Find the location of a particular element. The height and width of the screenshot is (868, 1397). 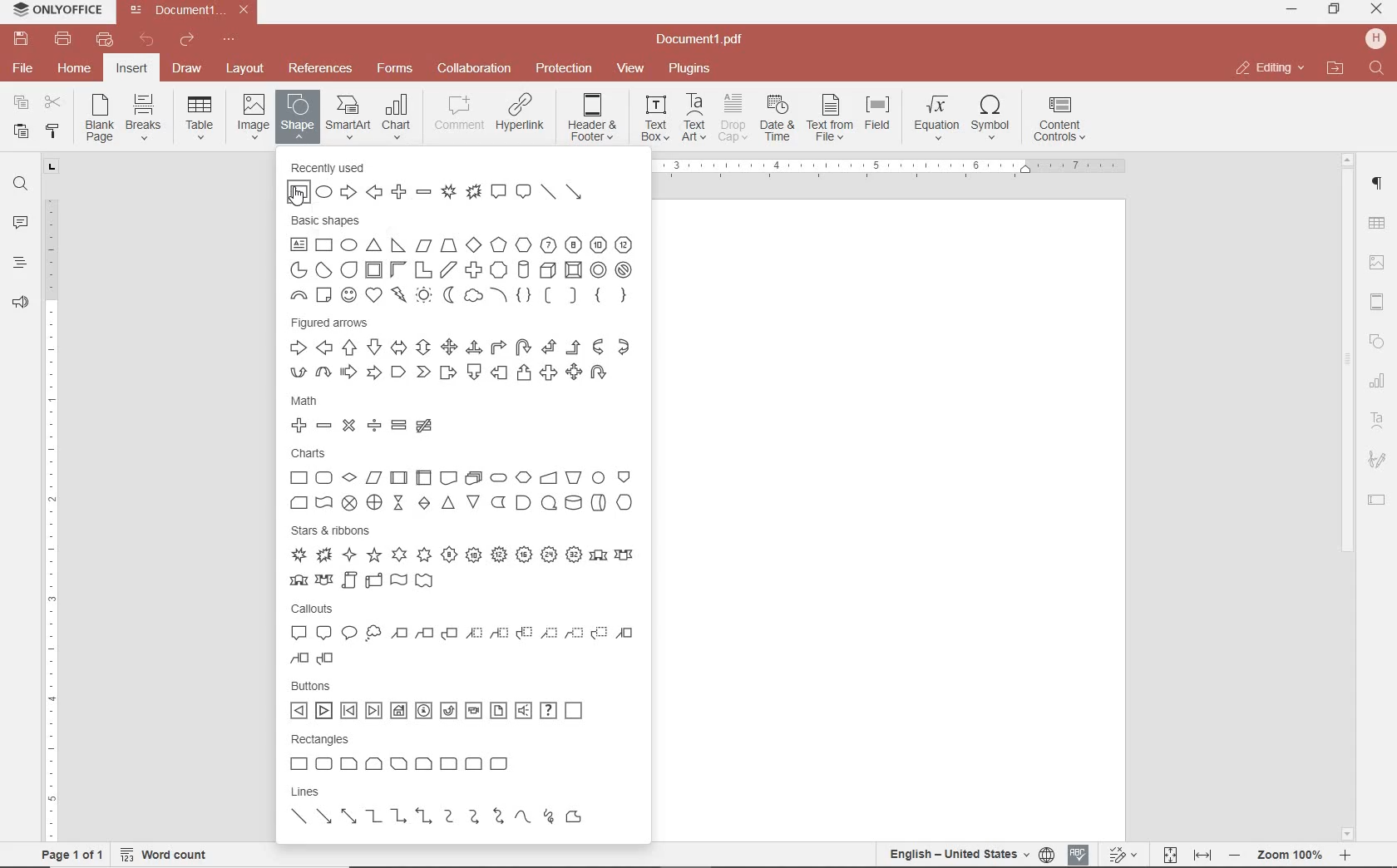

insert is located at coordinates (131, 70).